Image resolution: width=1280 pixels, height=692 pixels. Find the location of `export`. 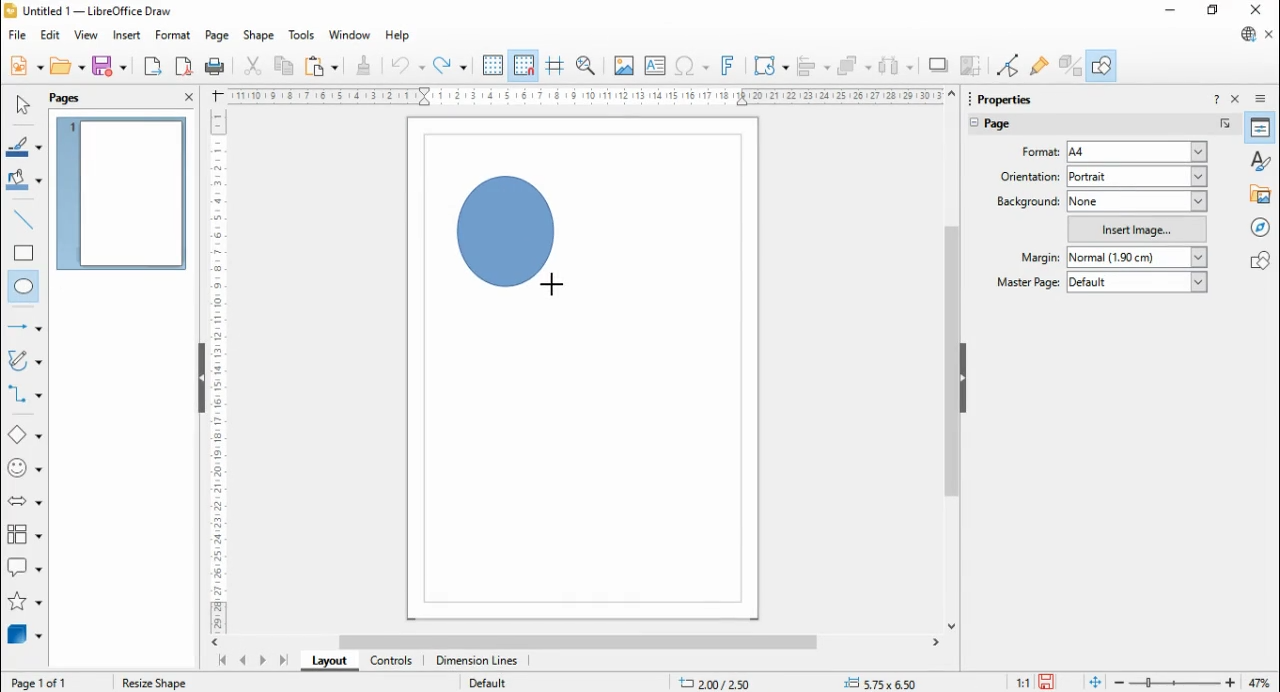

export is located at coordinates (152, 66).